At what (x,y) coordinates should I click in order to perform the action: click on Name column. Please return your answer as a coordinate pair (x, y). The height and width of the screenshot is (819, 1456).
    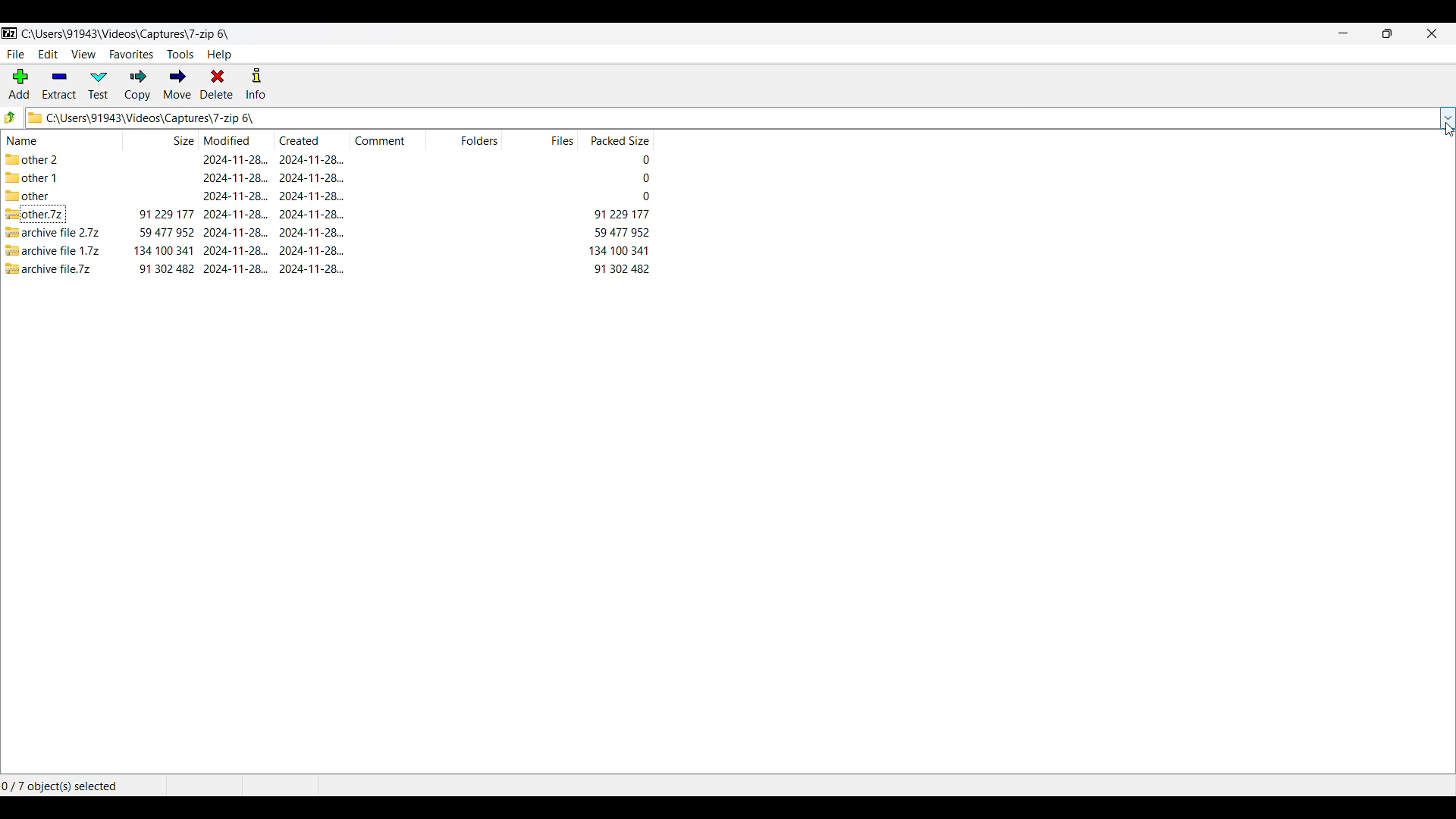
    Looking at the image, I should click on (63, 140).